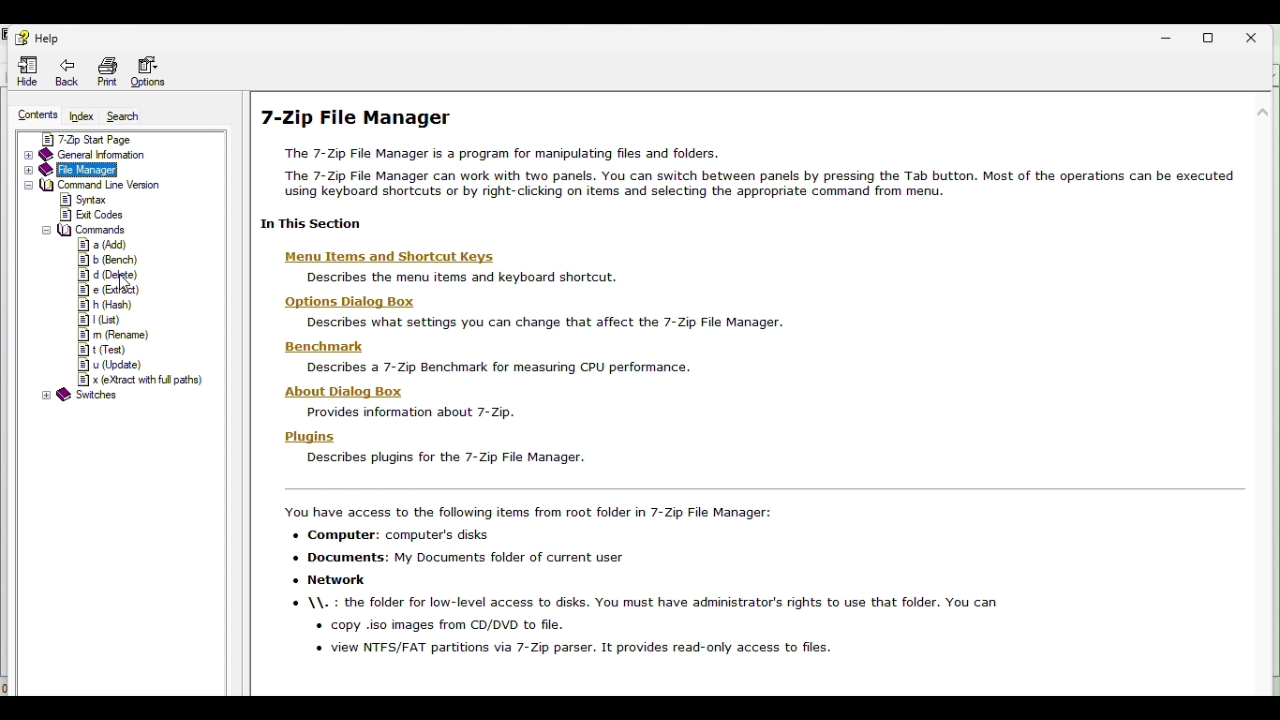 The width and height of the screenshot is (1280, 720). Describe the element at coordinates (91, 186) in the screenshot. I see `command line` at that location.